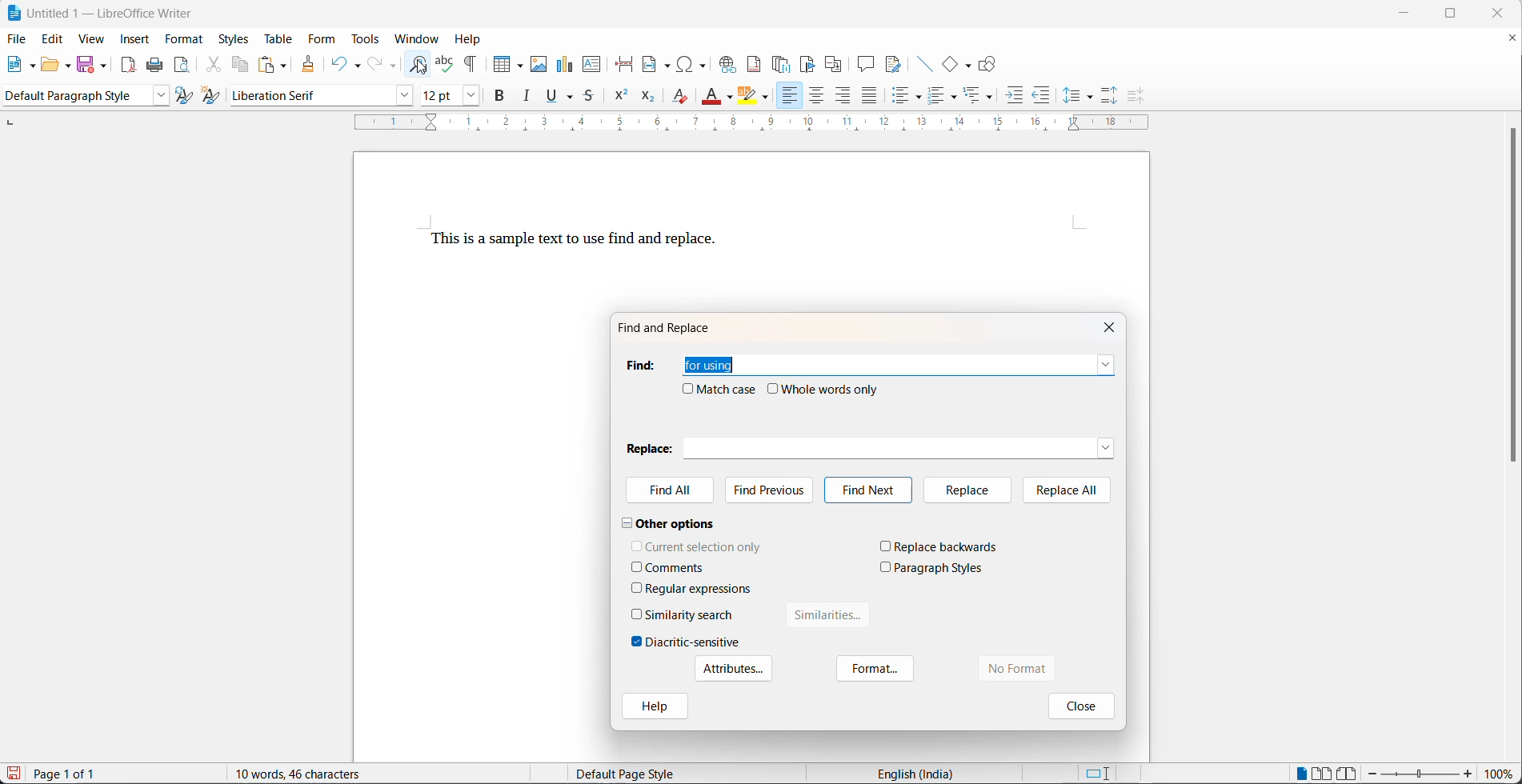 This screenshot has width=1522, height=784. Describe the element at coordinates (638, 614) in the screenshot. I see `checkbox` at that location.